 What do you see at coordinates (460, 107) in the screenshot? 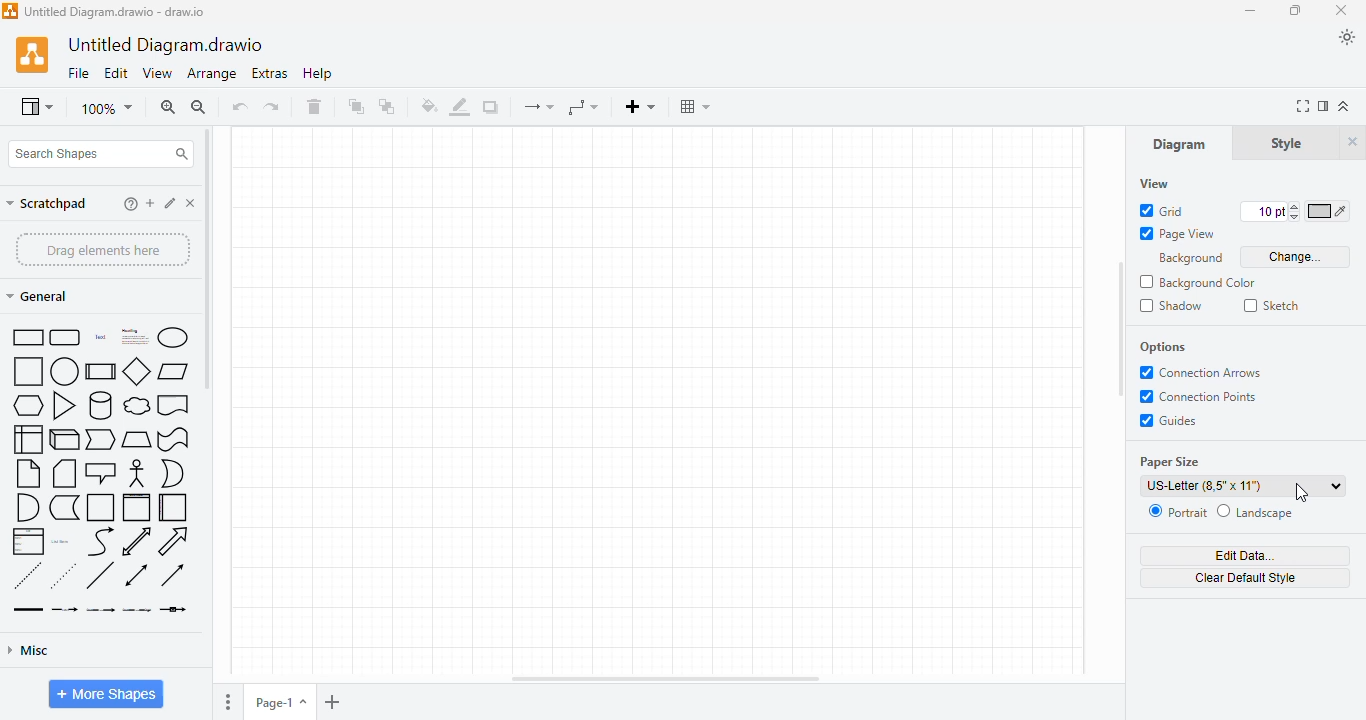
I see `line color` at bounding box center [460, 107].